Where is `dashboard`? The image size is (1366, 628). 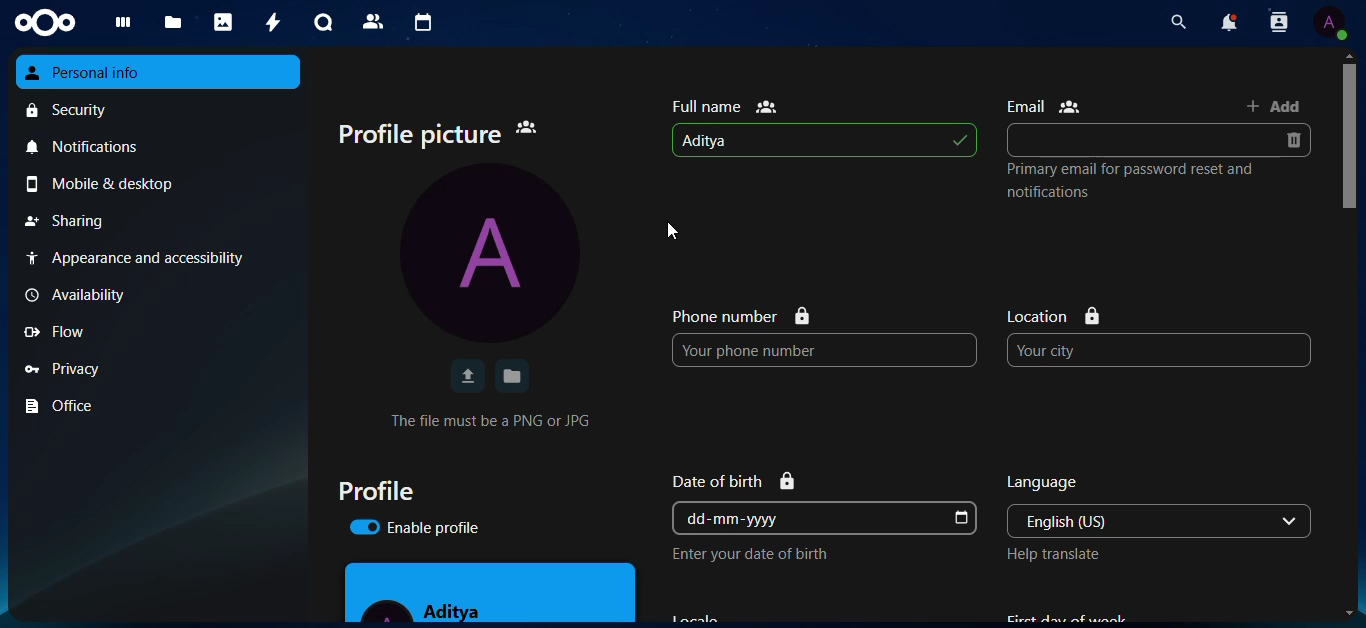
dashboard is located at coordinates (117, 26).